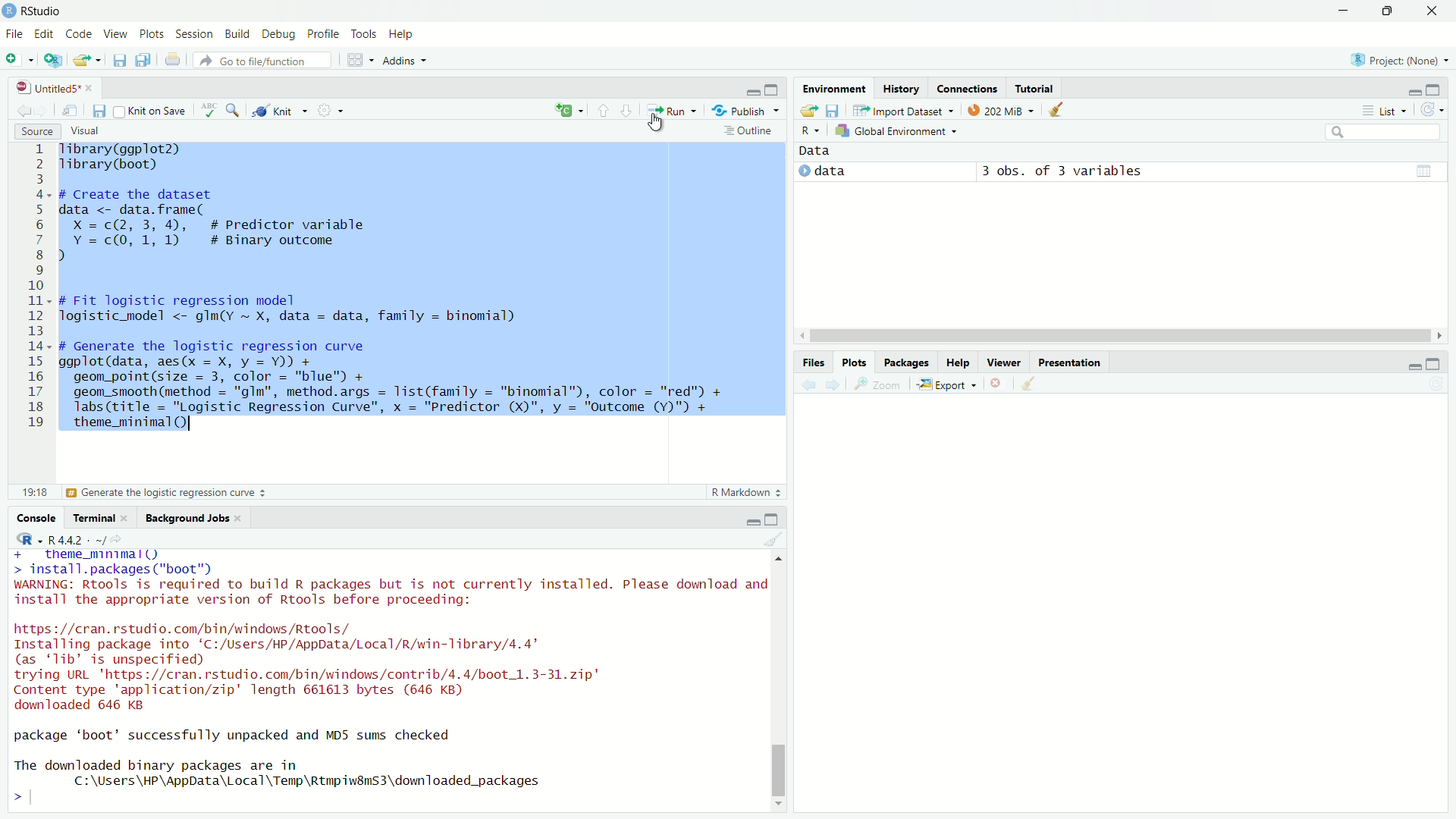 The height and width of the screenshot is (819, 1456). What do you see at coordinates (967, 88) in the screenshot?
I see `Connections` at bounding box center [967, 88].